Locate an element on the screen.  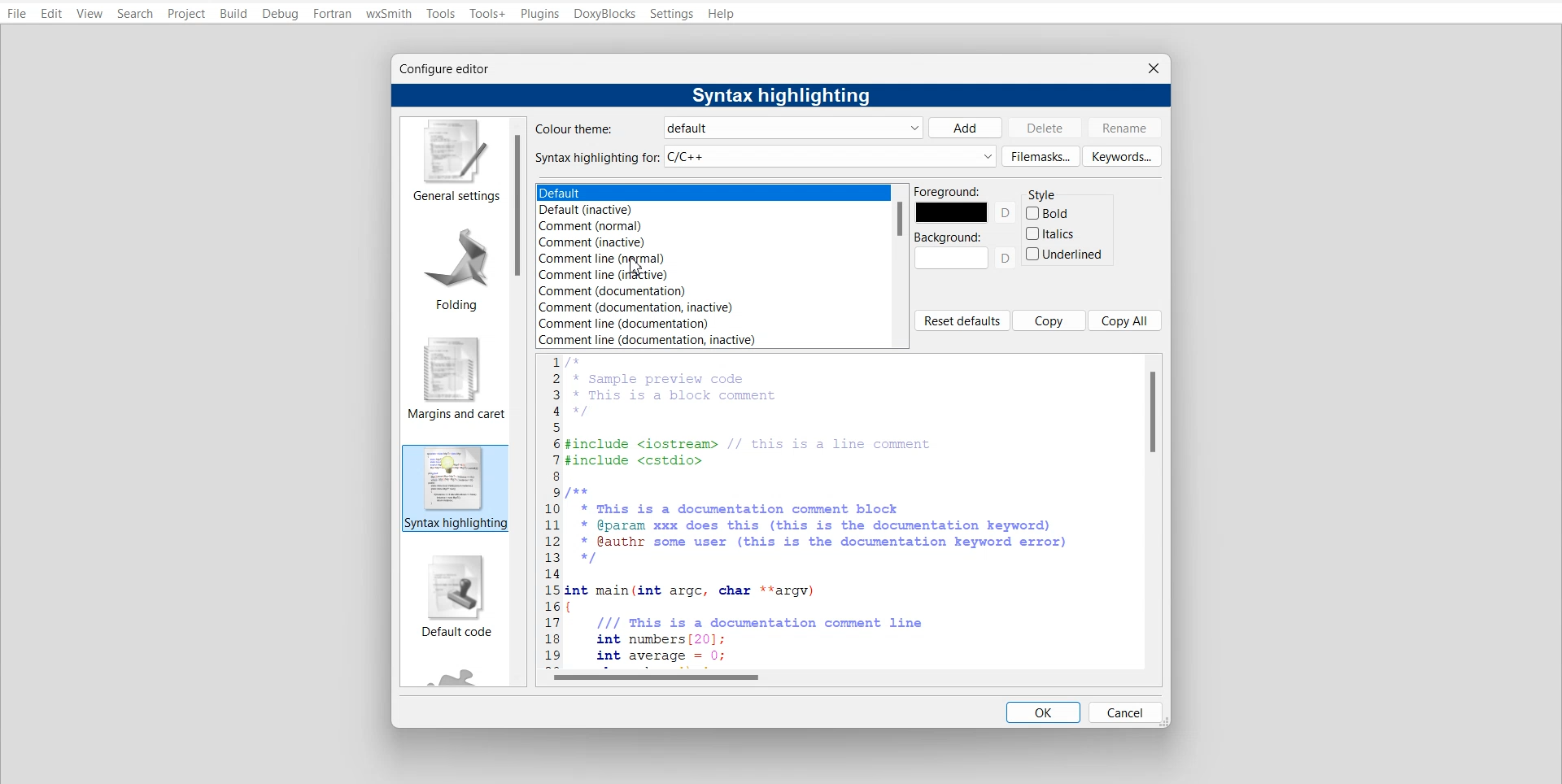
Background is located at coordinates (966, 250).